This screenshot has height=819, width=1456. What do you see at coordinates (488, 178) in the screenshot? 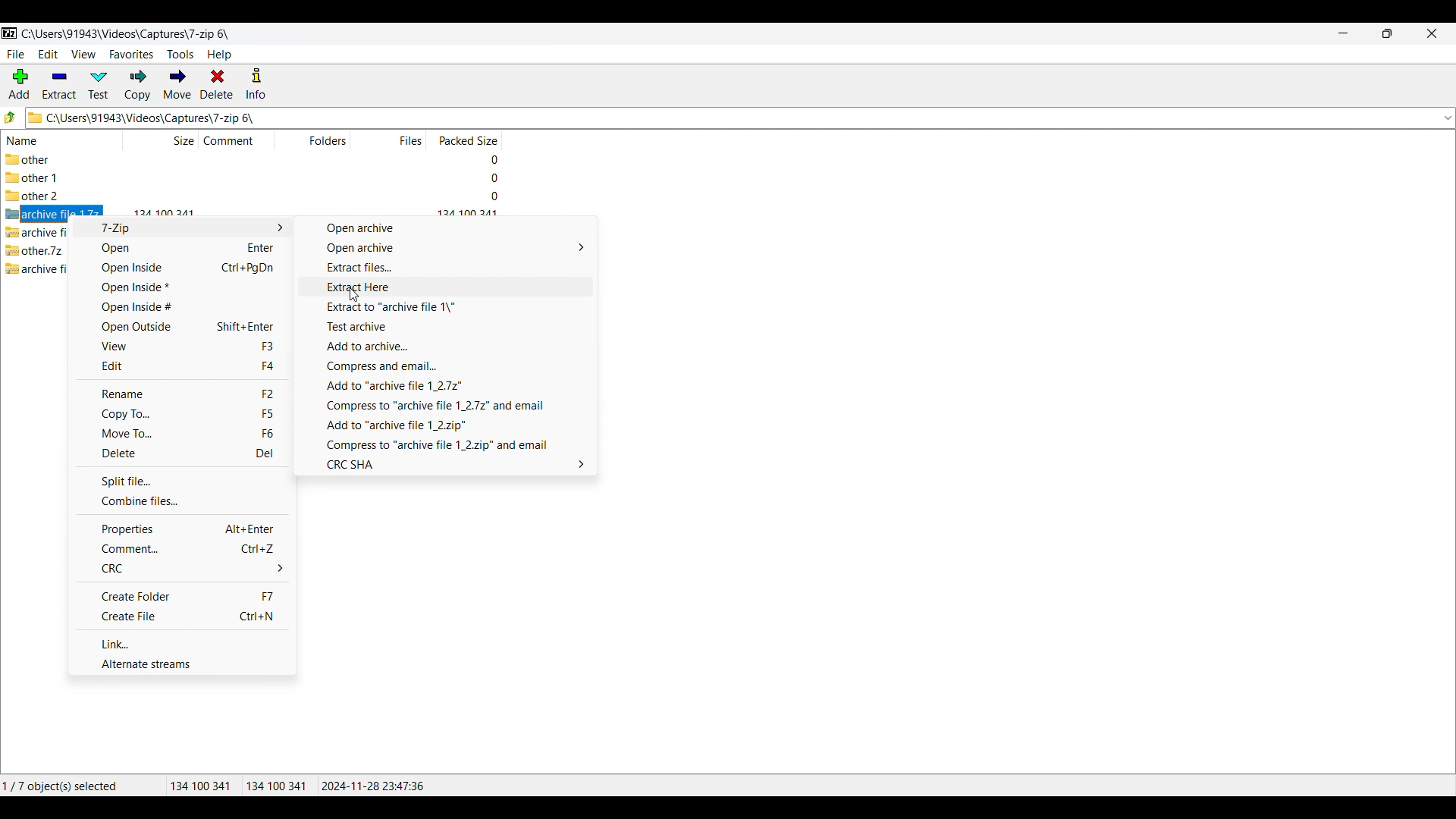
I see `packed size` at bounding box center [488, 178].